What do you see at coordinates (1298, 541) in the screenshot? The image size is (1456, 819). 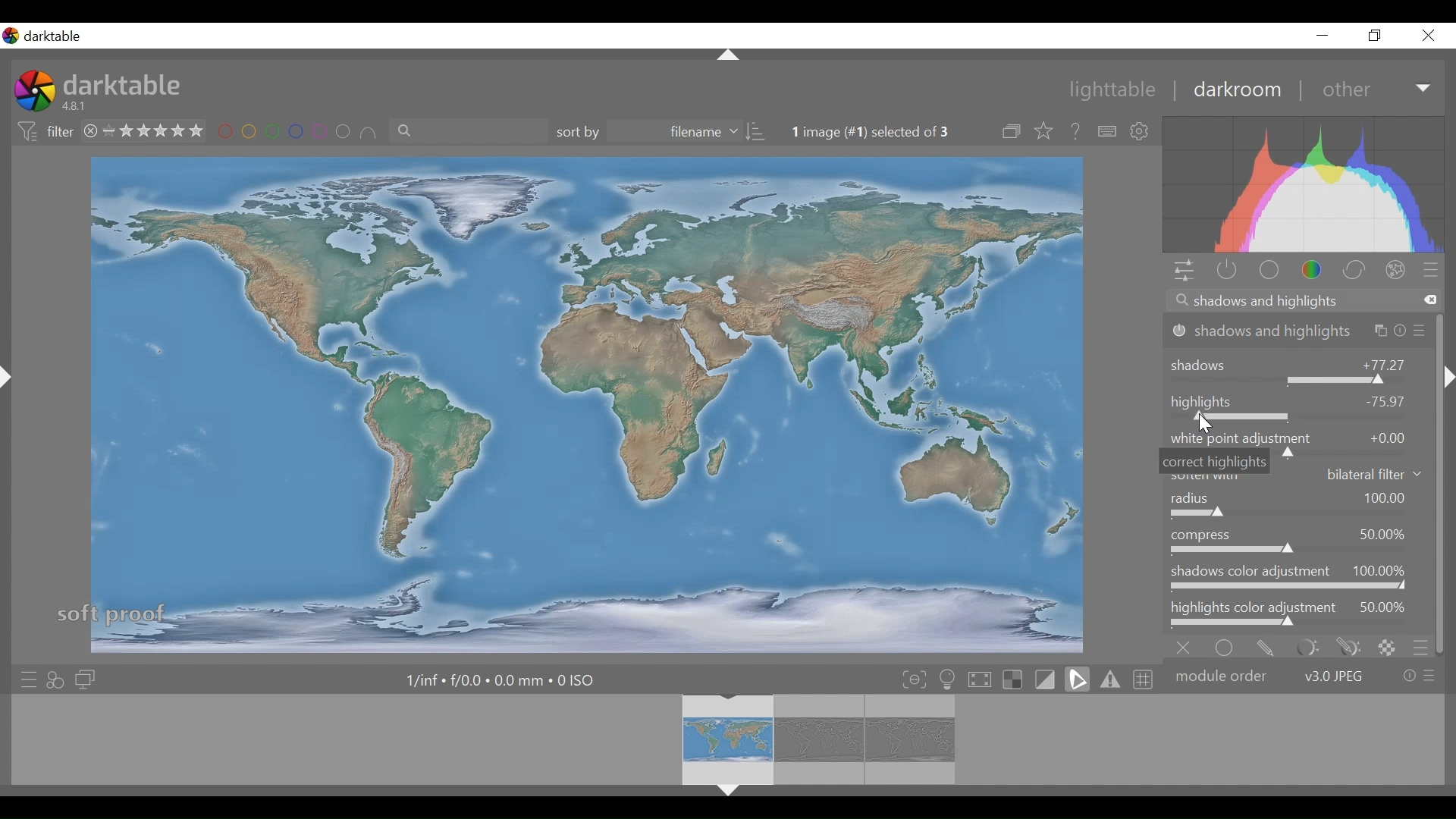 I see `compress` at bounding box center [1298, 541].